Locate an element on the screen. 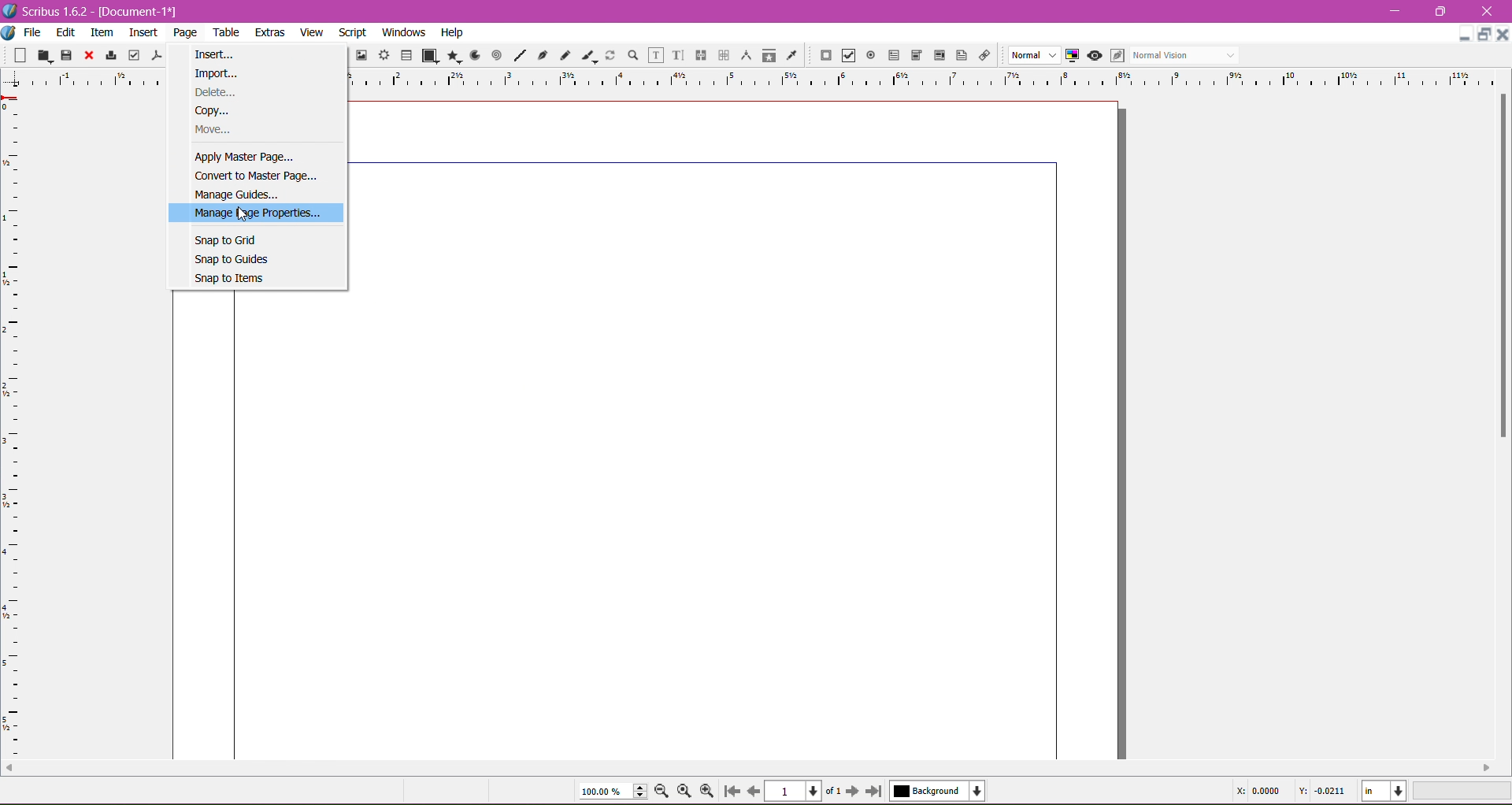 The width and height of the screenshot is (1512, 805). Polygon is located at coordinates (451, 57).